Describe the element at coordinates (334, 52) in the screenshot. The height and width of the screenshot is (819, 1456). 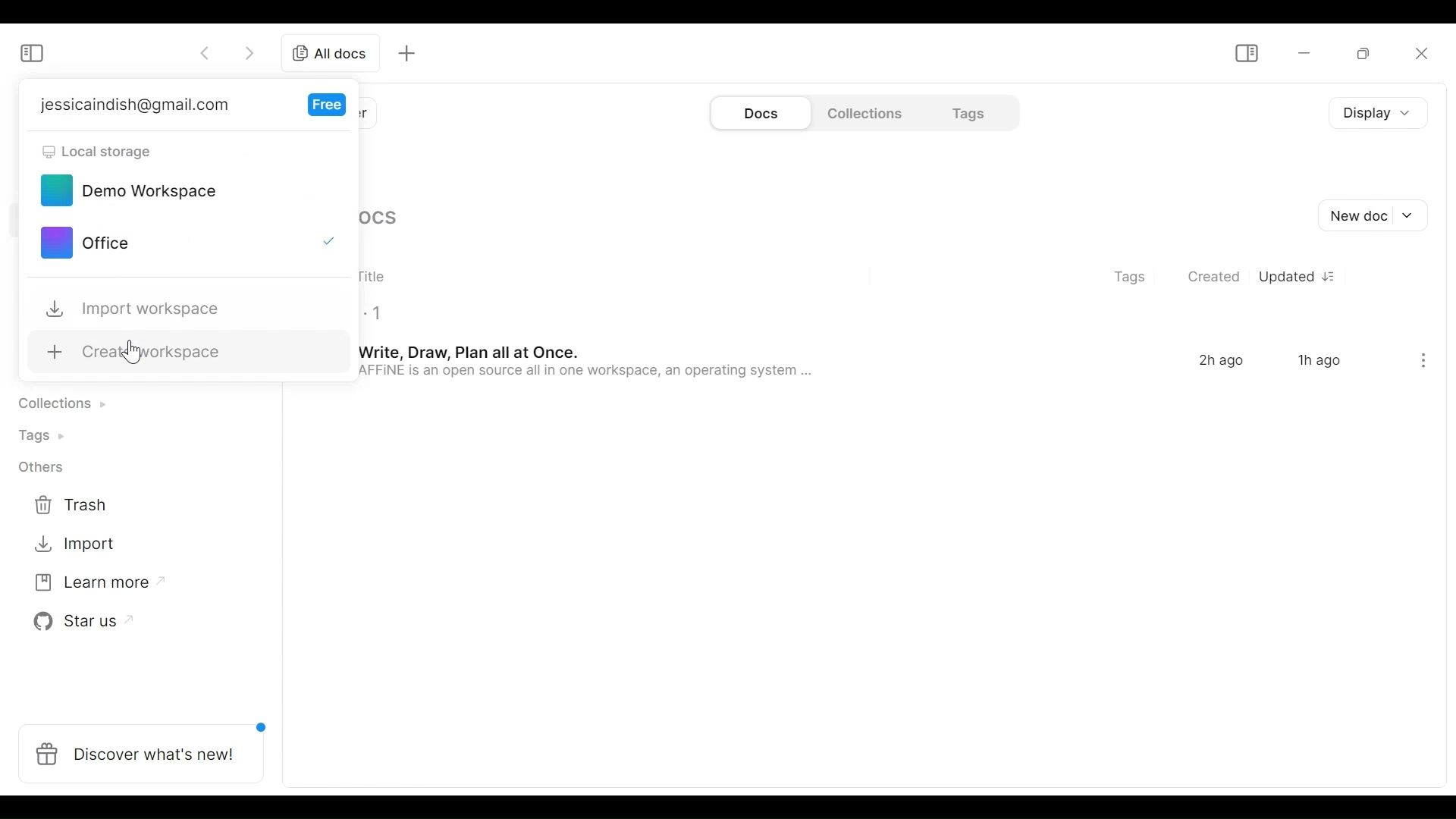
I see `All documents` at that location.